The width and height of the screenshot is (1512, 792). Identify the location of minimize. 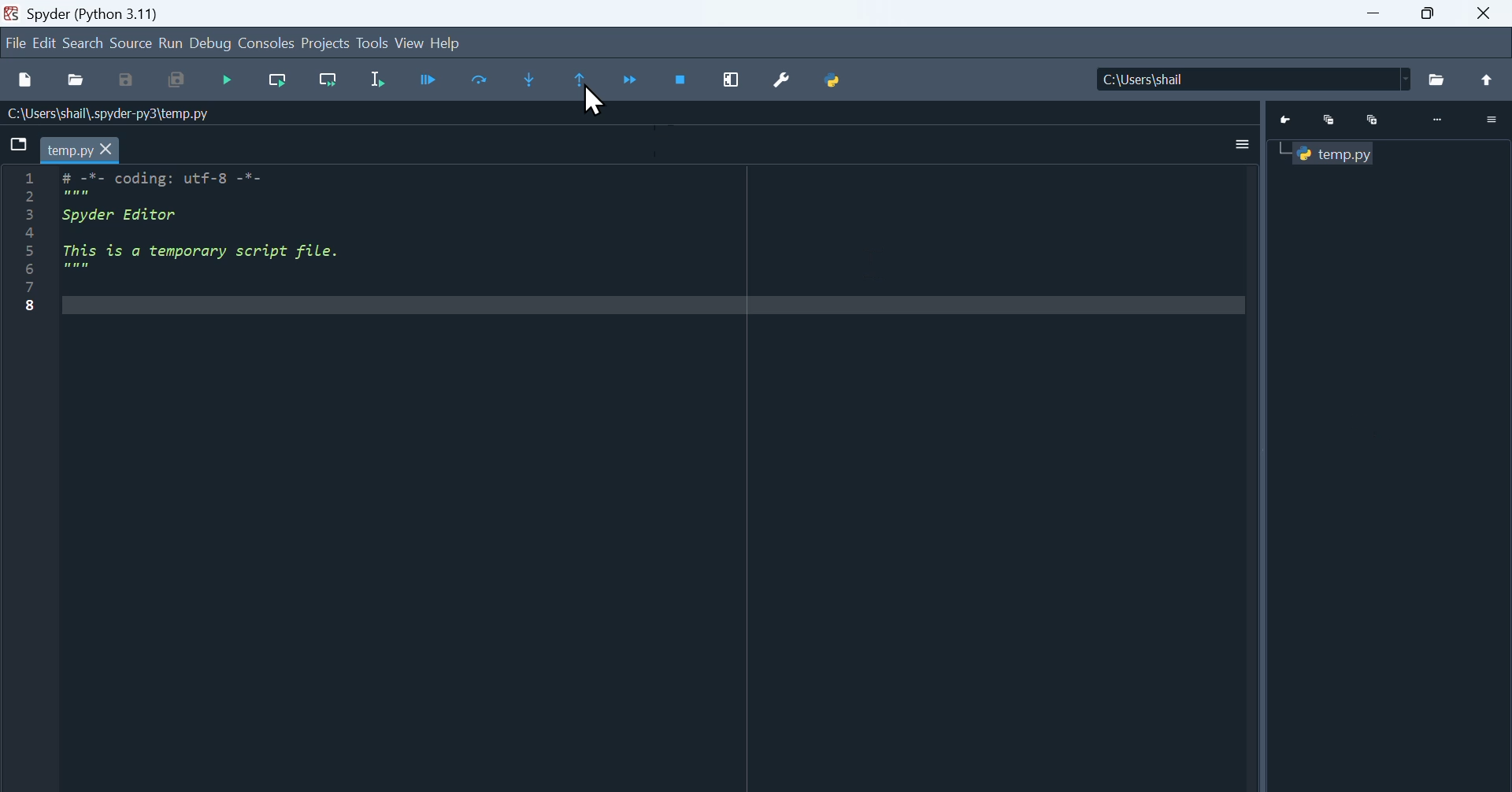
(1374, 13).